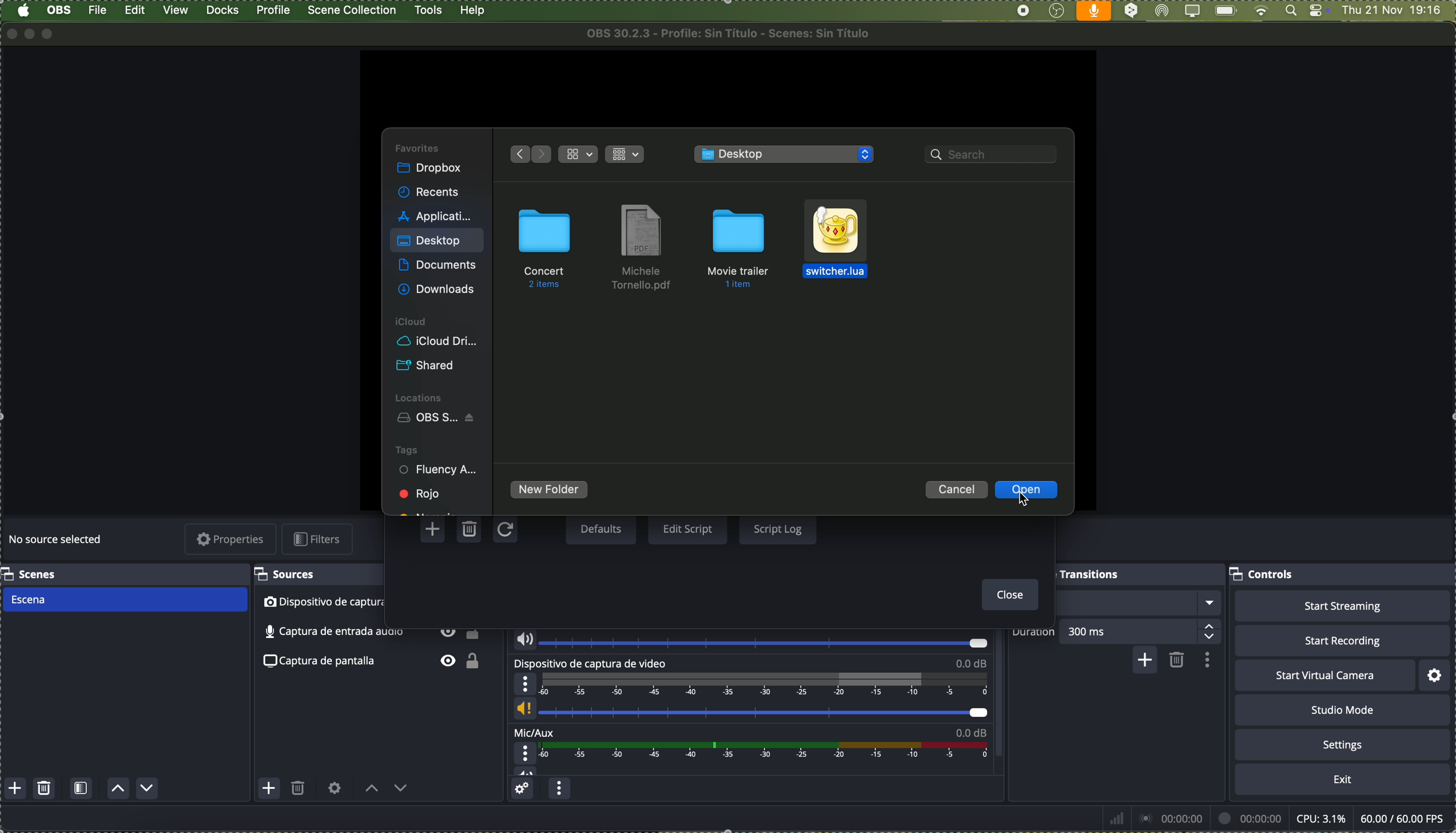  I want to click on scroll bar, so click(1004, 697).